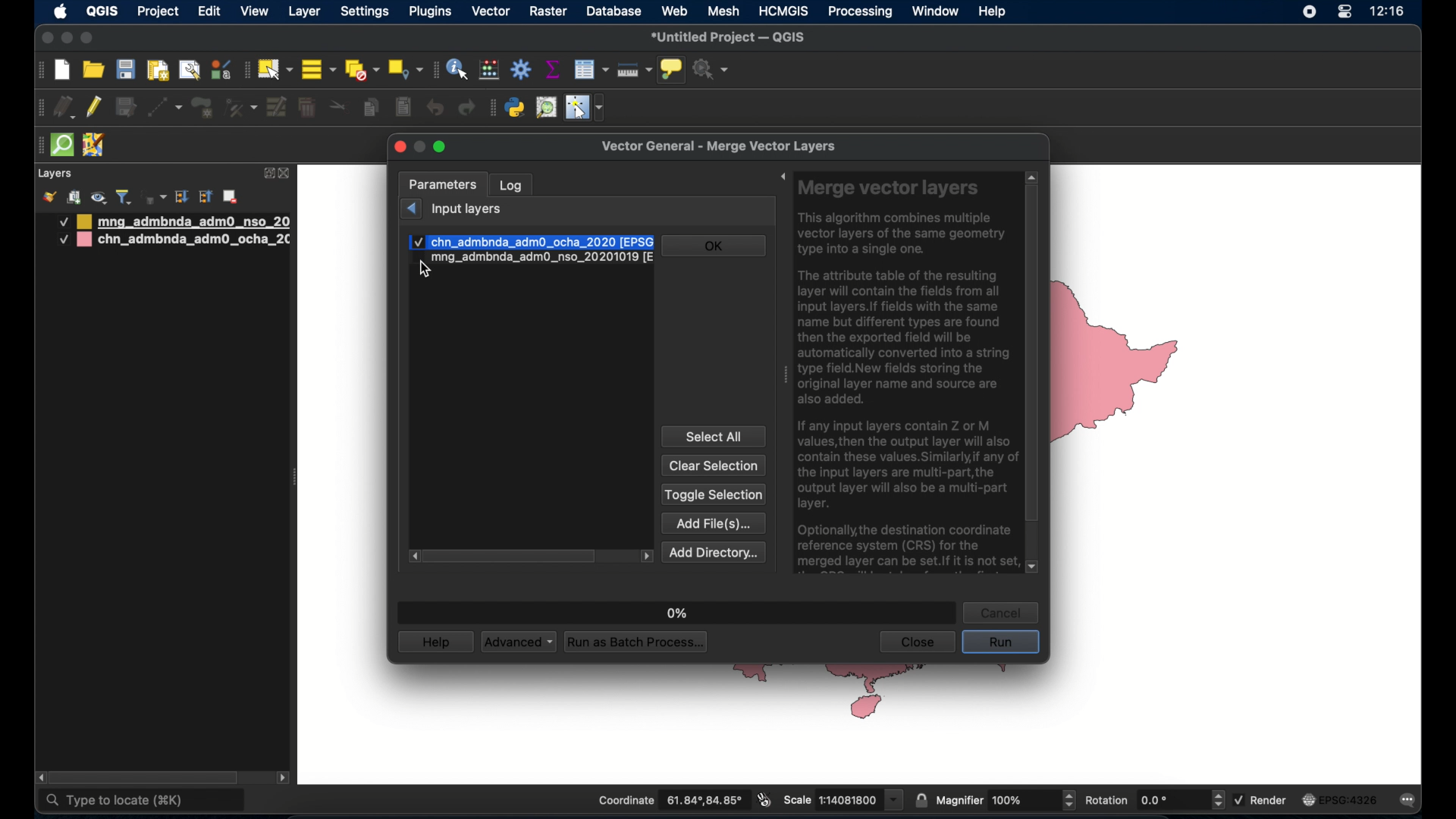 The height and width of the screenshot is (819, 1456). Describe the element at coordinates (522, 70) in the screenshot. I see `toolbox` at that location.